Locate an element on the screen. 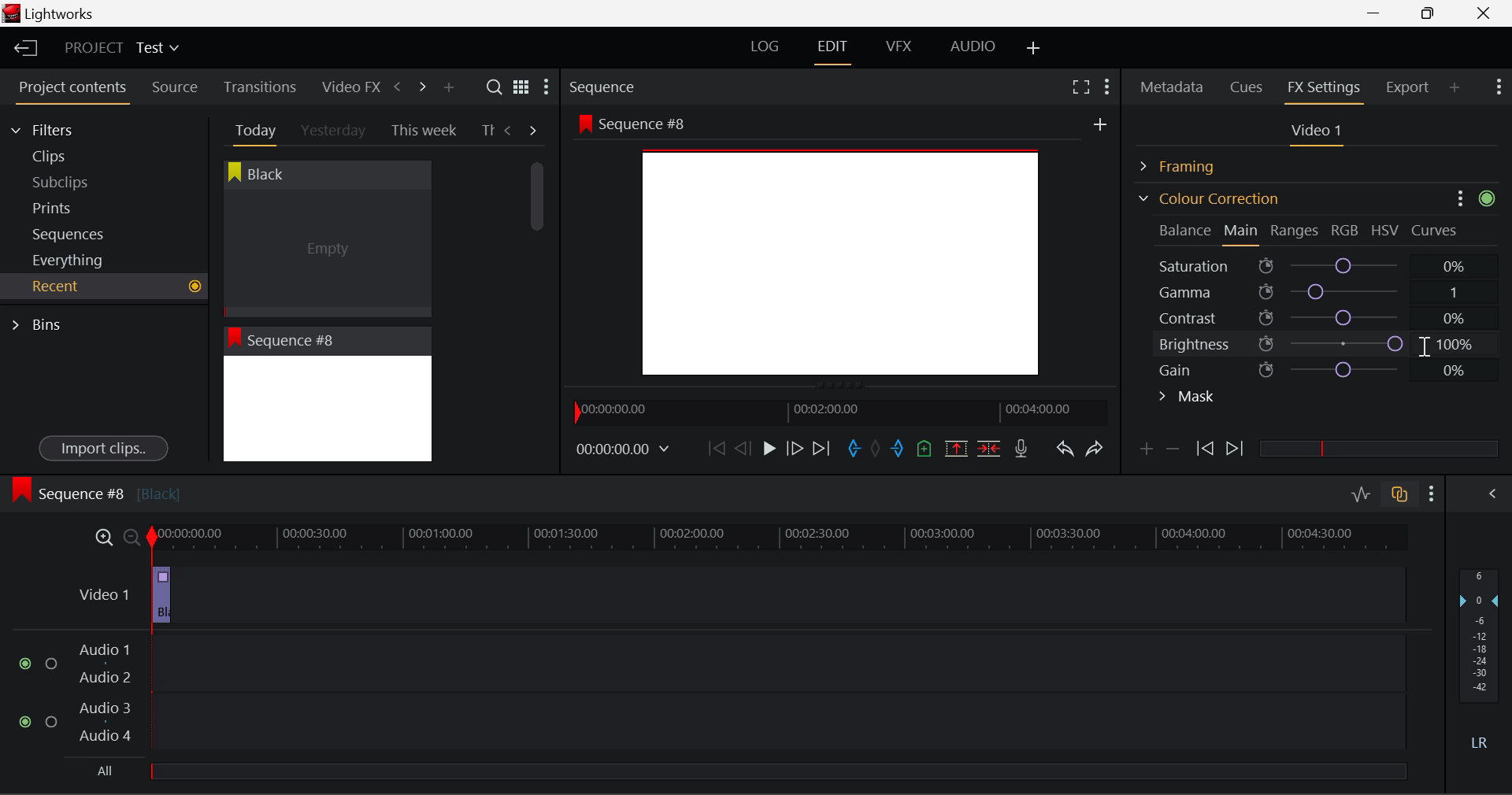 Image resolution: width=1512 pixels, height=795 pixels. Add keyframe is located at coordinates (1143, 452).